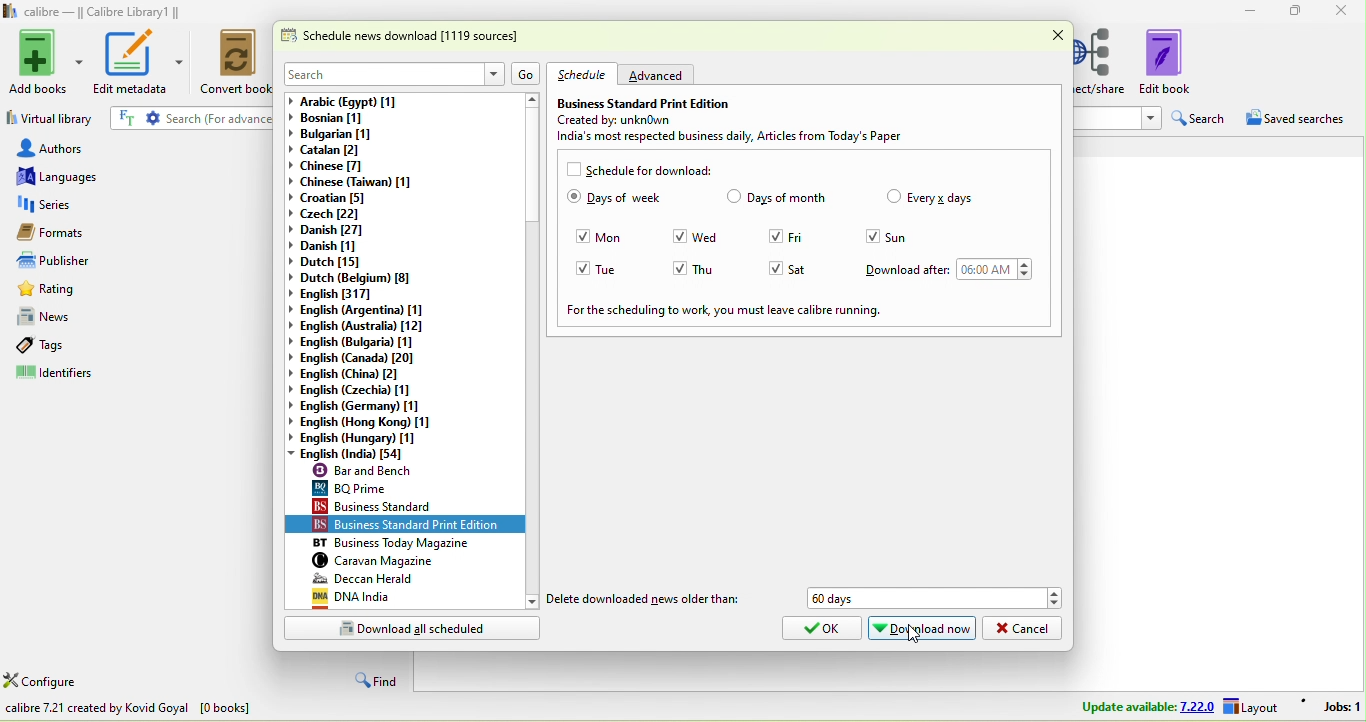  I want to click on Add books options, so click(81, 59).